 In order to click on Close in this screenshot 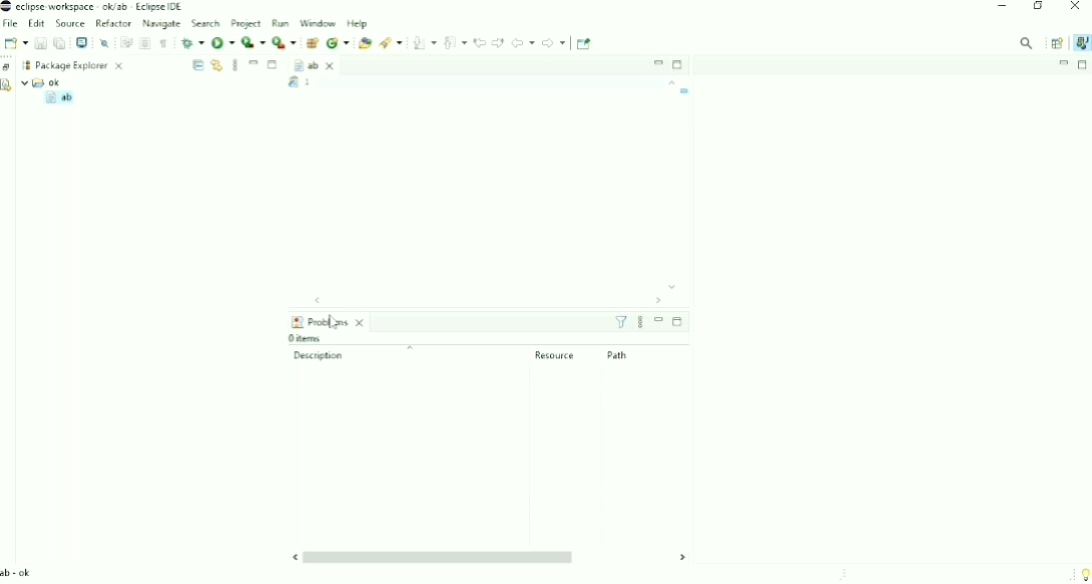, I will do `click(1076, 8)`.